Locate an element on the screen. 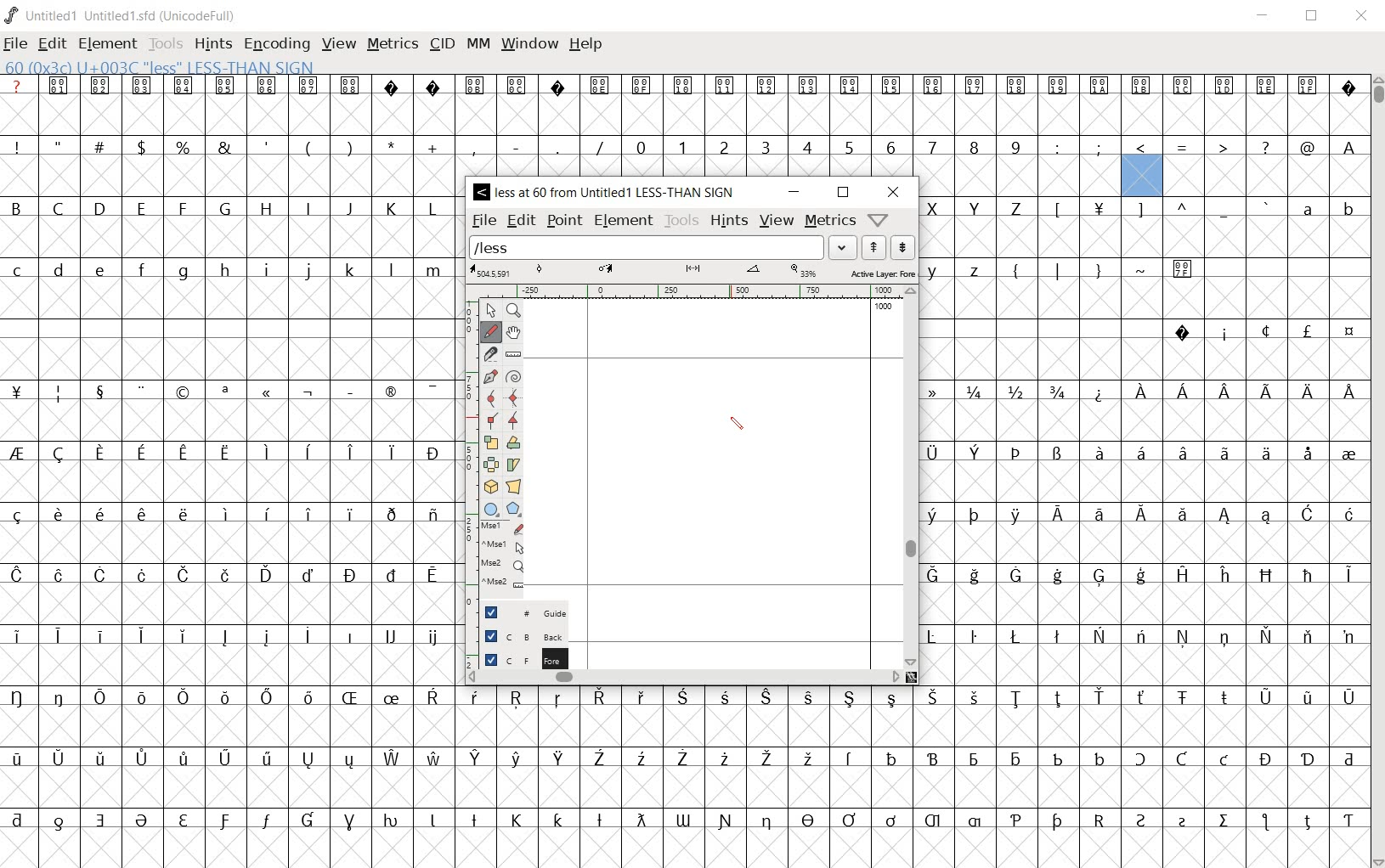  special letters is located at coordinates (226, 637).